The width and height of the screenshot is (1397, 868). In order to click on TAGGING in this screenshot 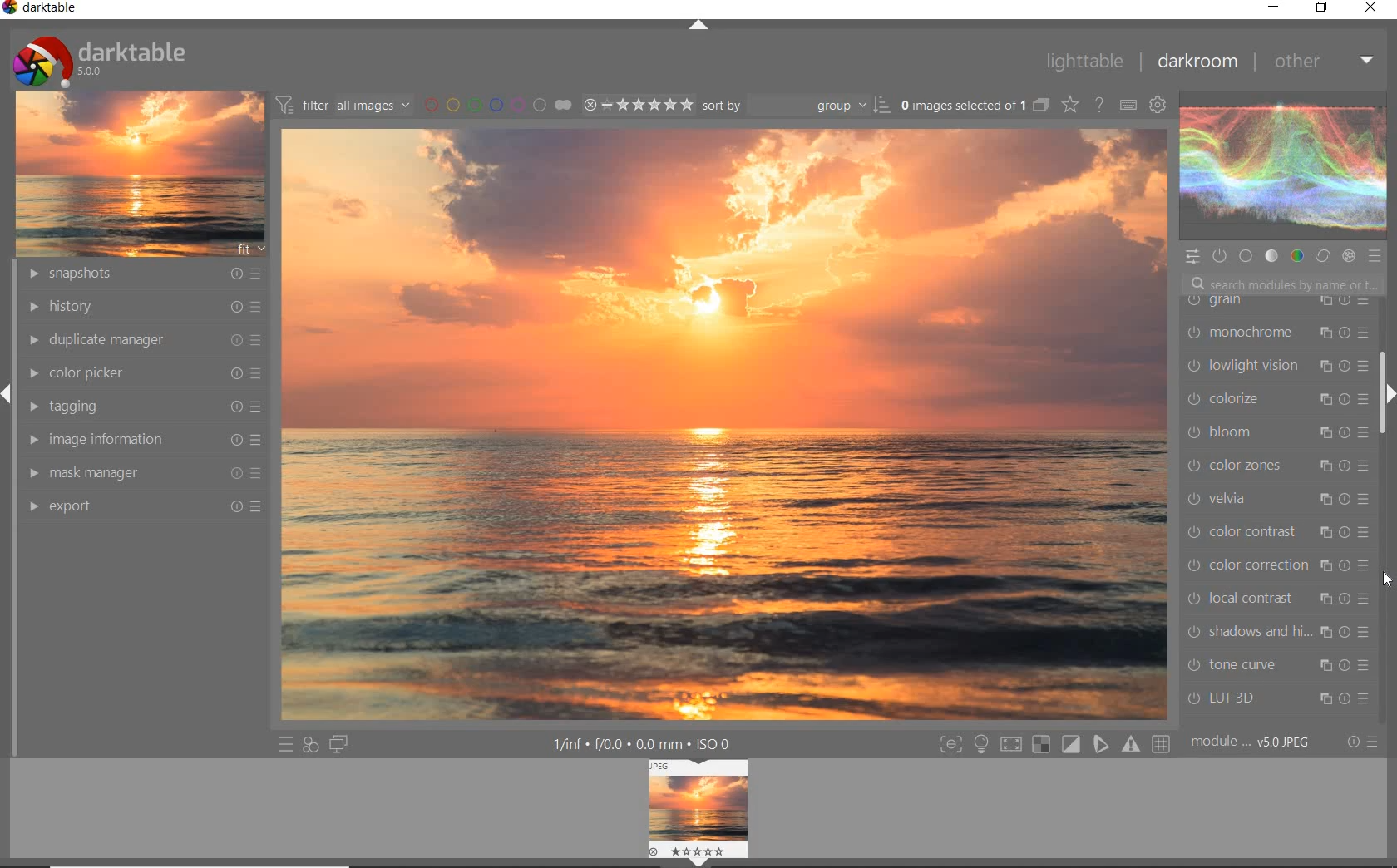, I will do `click(142, 405)`.